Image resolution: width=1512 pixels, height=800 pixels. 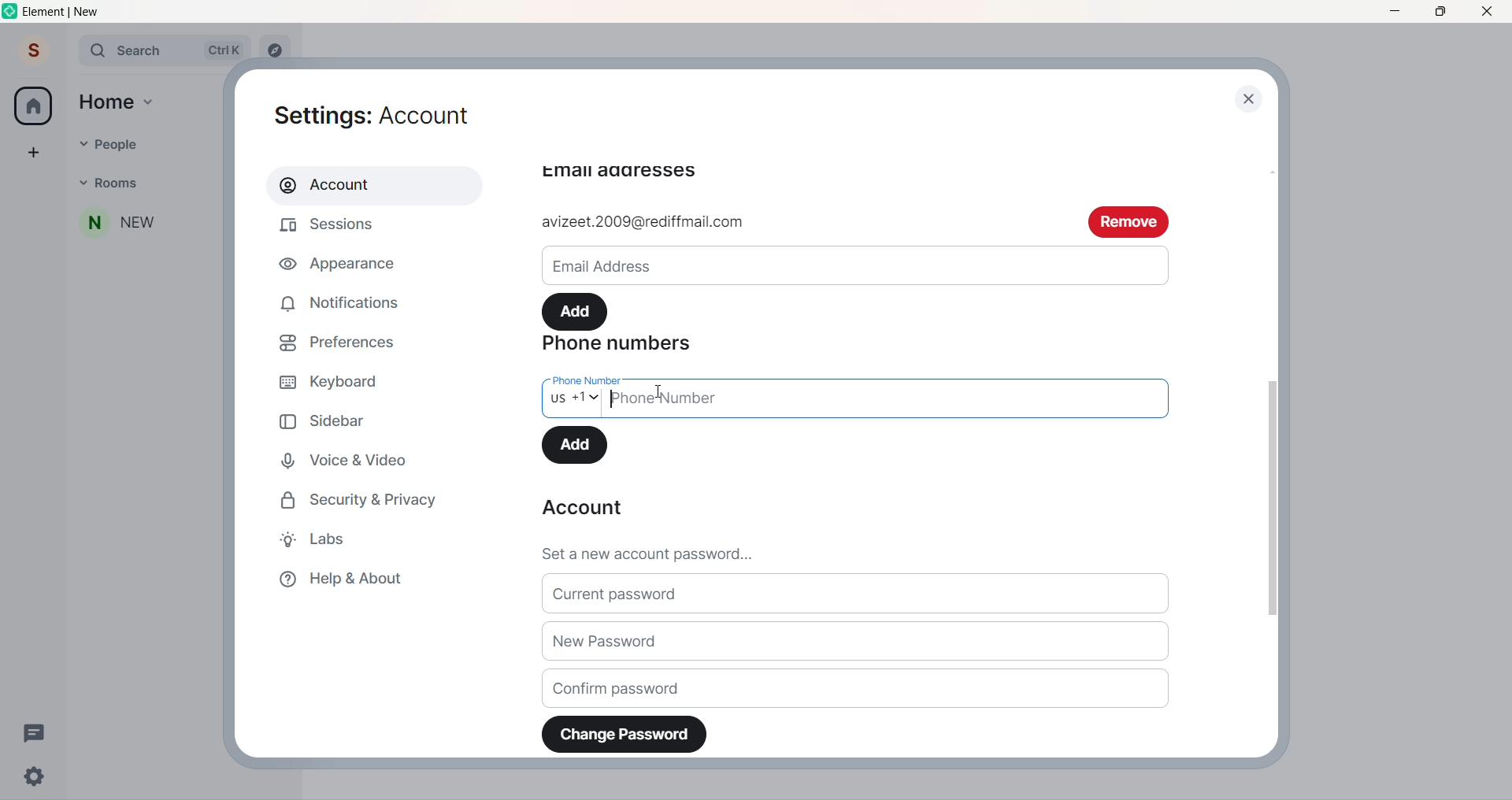 What do you see at coordinates (146, 223) in the screenshot?
I see `People added to Room` at bounding box center [146, 223].